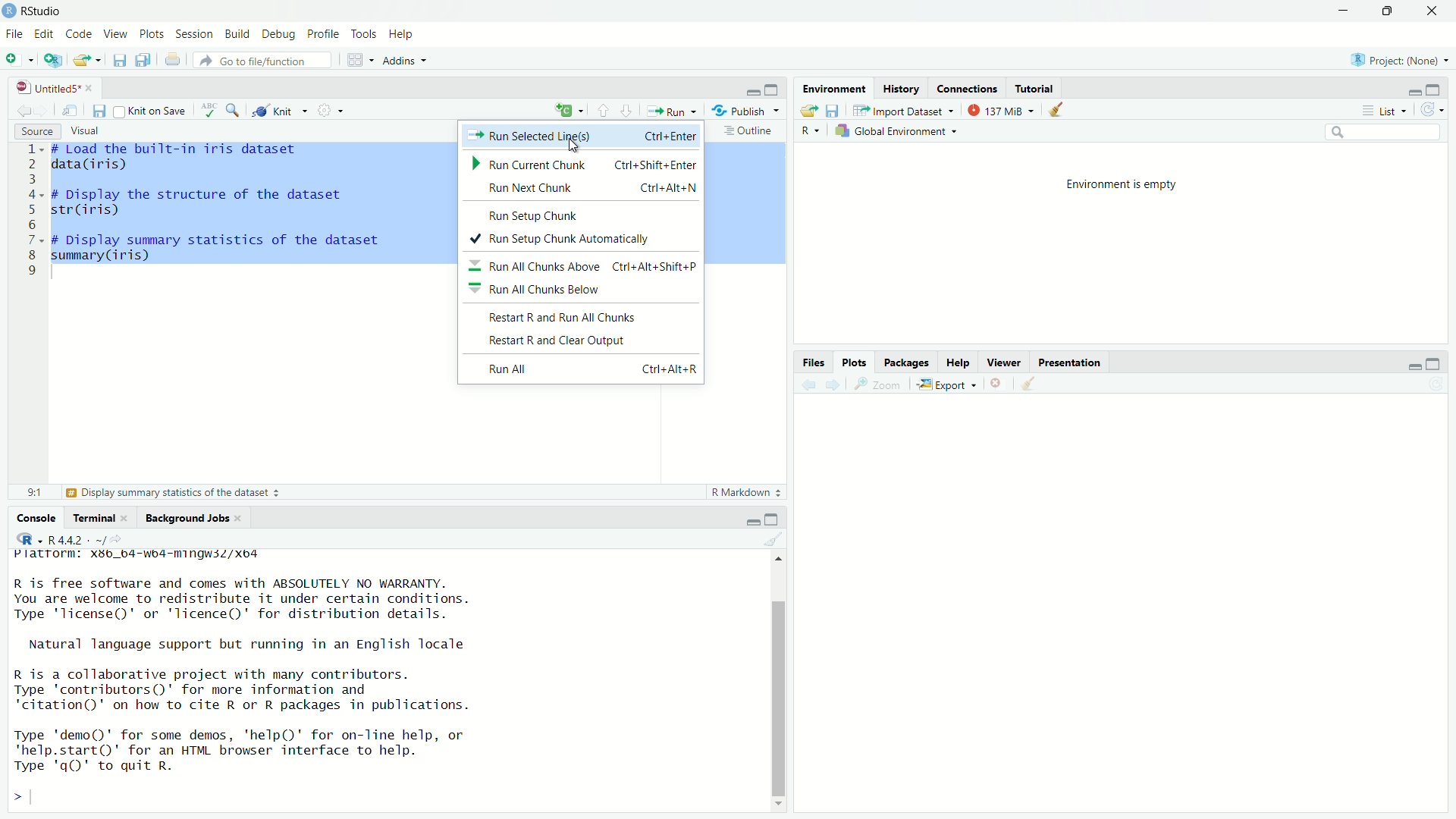  I want to click on Scroll down, so click(780, 805).